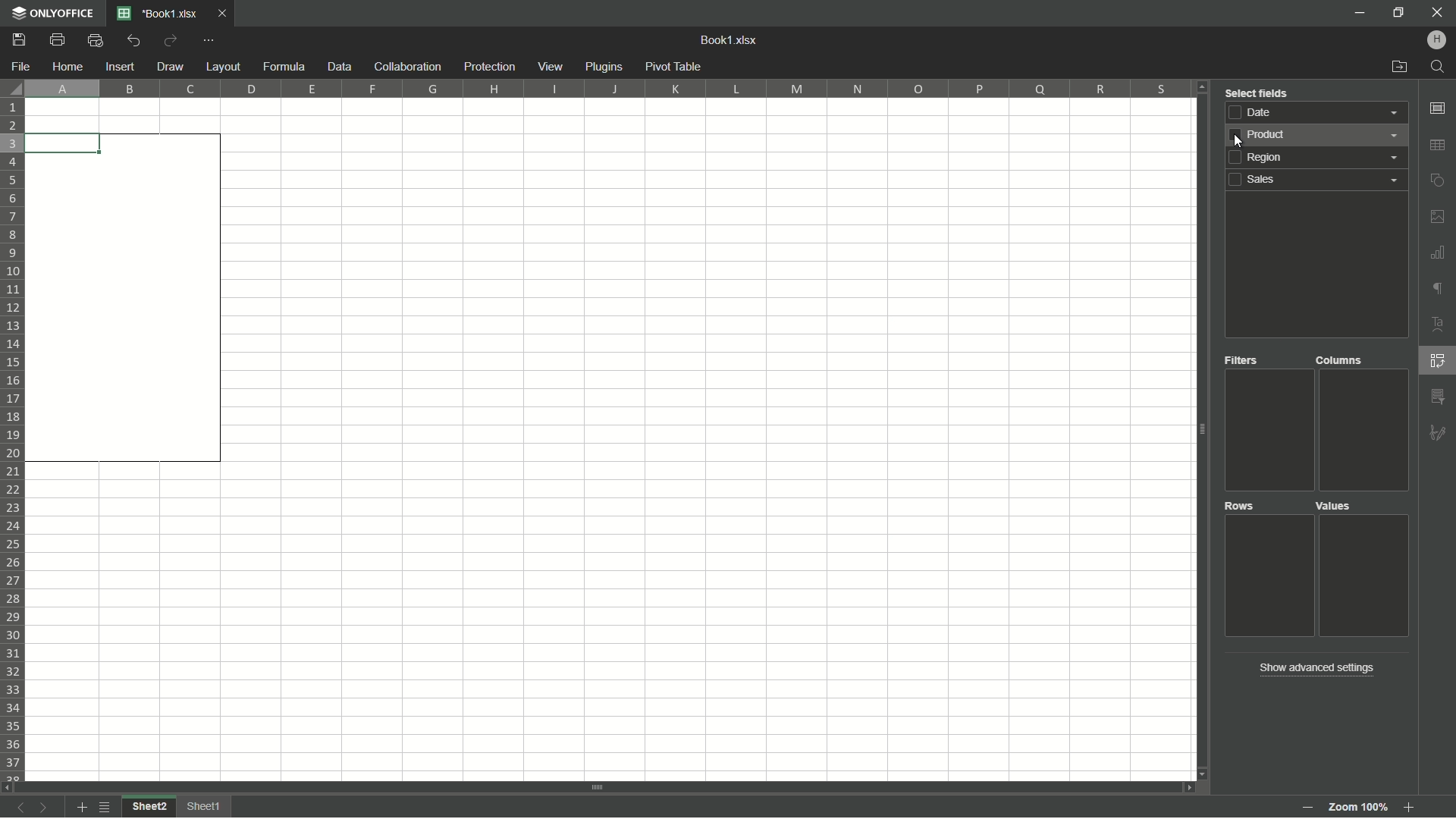 This screenshot has width=1456, height=819. Describe the element at coordinates (1438, 216) in the screenshot. I see `insert image` at that location.